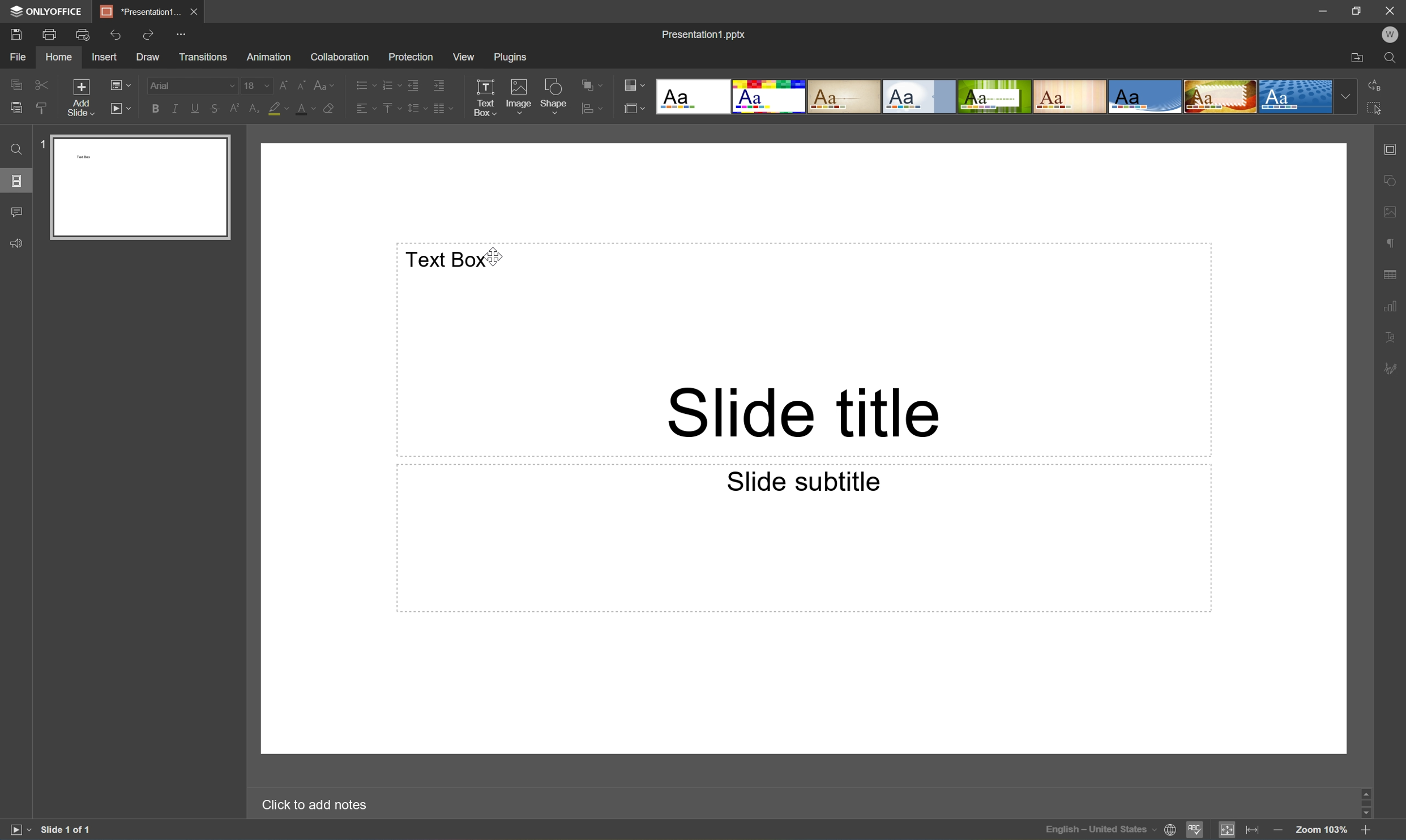 Image resolution: width=1406 pixels, height=840 pixels. Describe the element at coordinates (1395, 273) in the screenshot. I see `Table settings` at that location.